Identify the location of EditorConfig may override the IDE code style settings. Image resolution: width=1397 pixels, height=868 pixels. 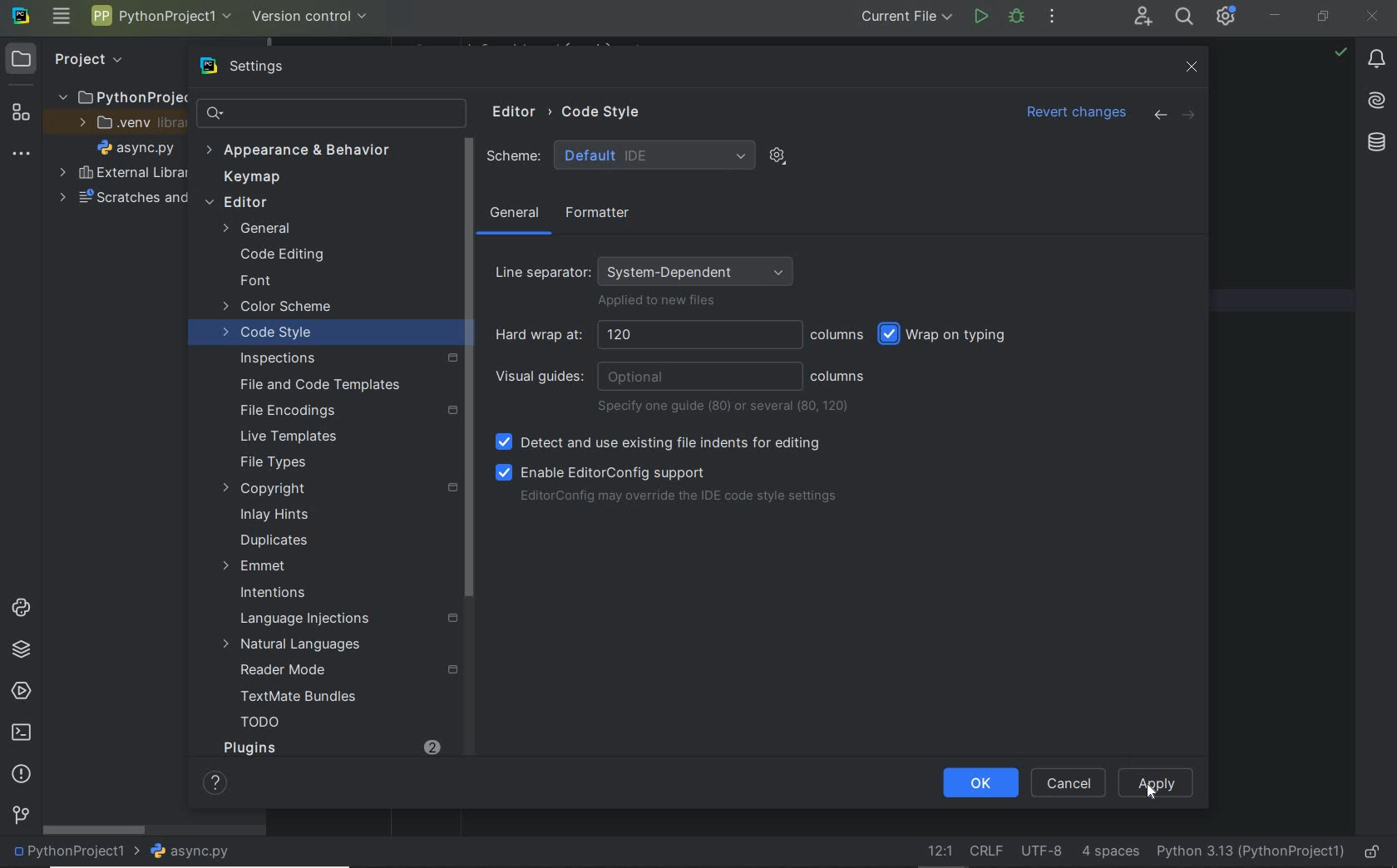
(678, 498).